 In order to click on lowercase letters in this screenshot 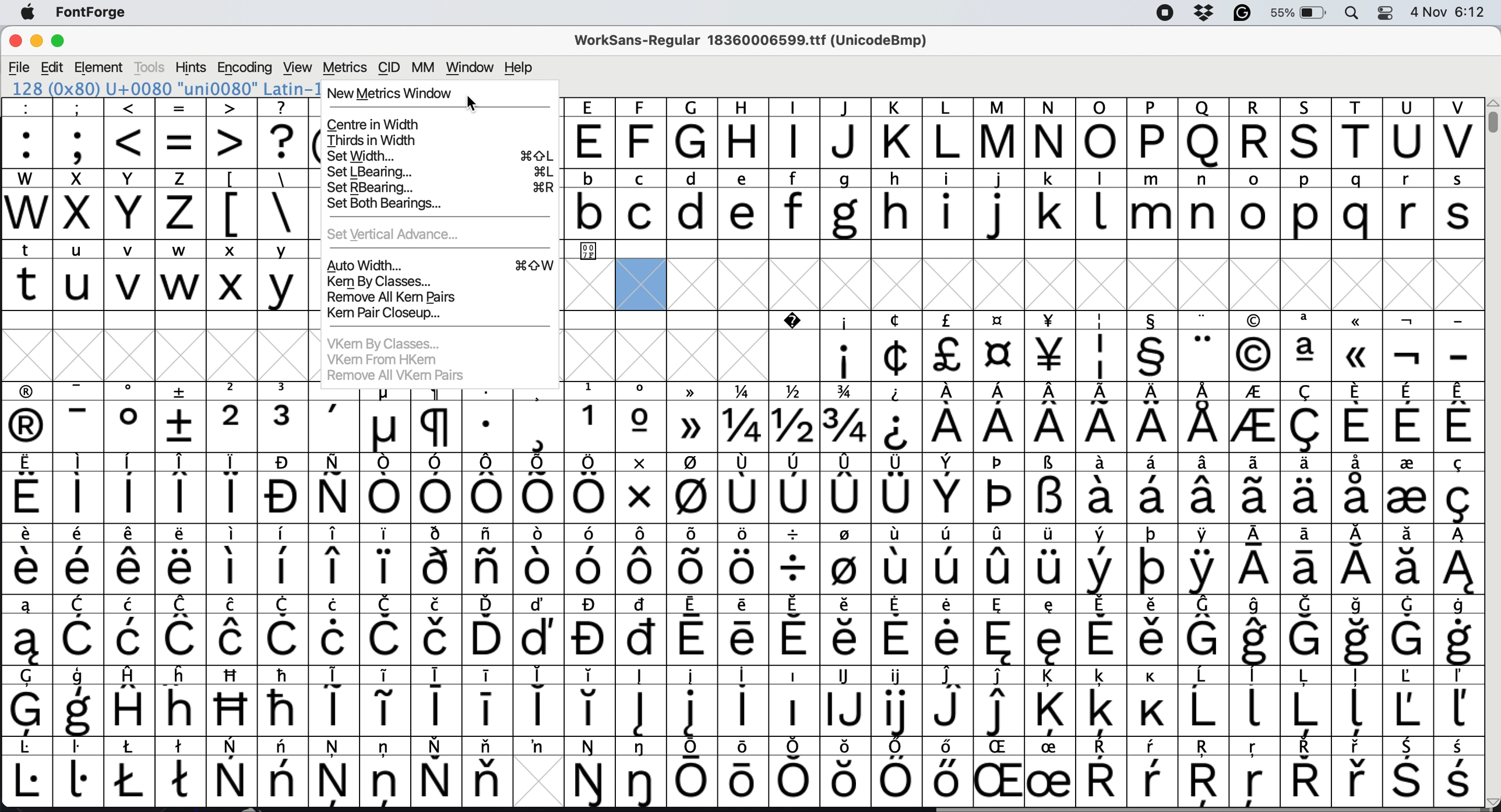, I will do `click(1024, 176)`.